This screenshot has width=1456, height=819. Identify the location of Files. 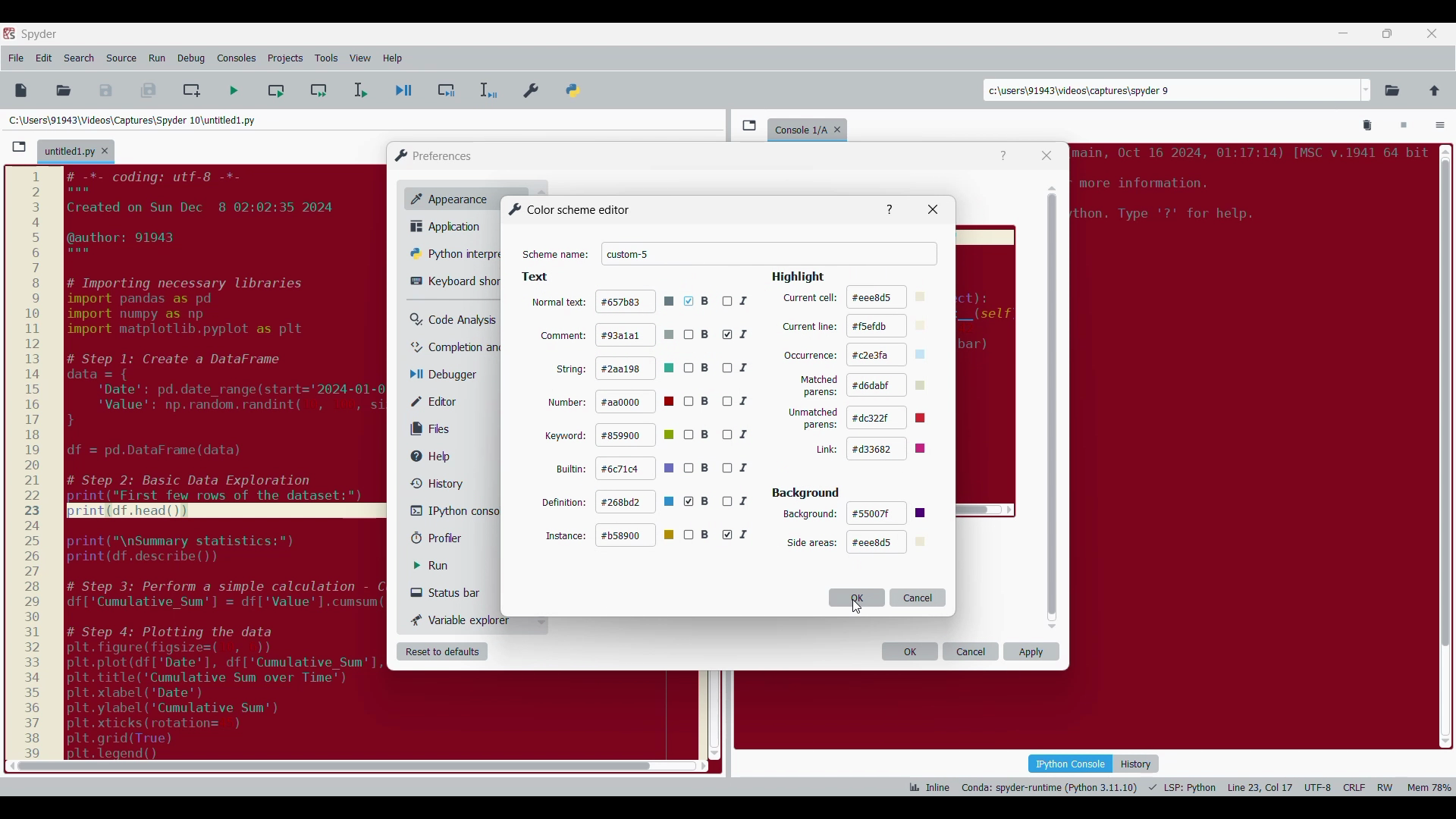
(434, 428).